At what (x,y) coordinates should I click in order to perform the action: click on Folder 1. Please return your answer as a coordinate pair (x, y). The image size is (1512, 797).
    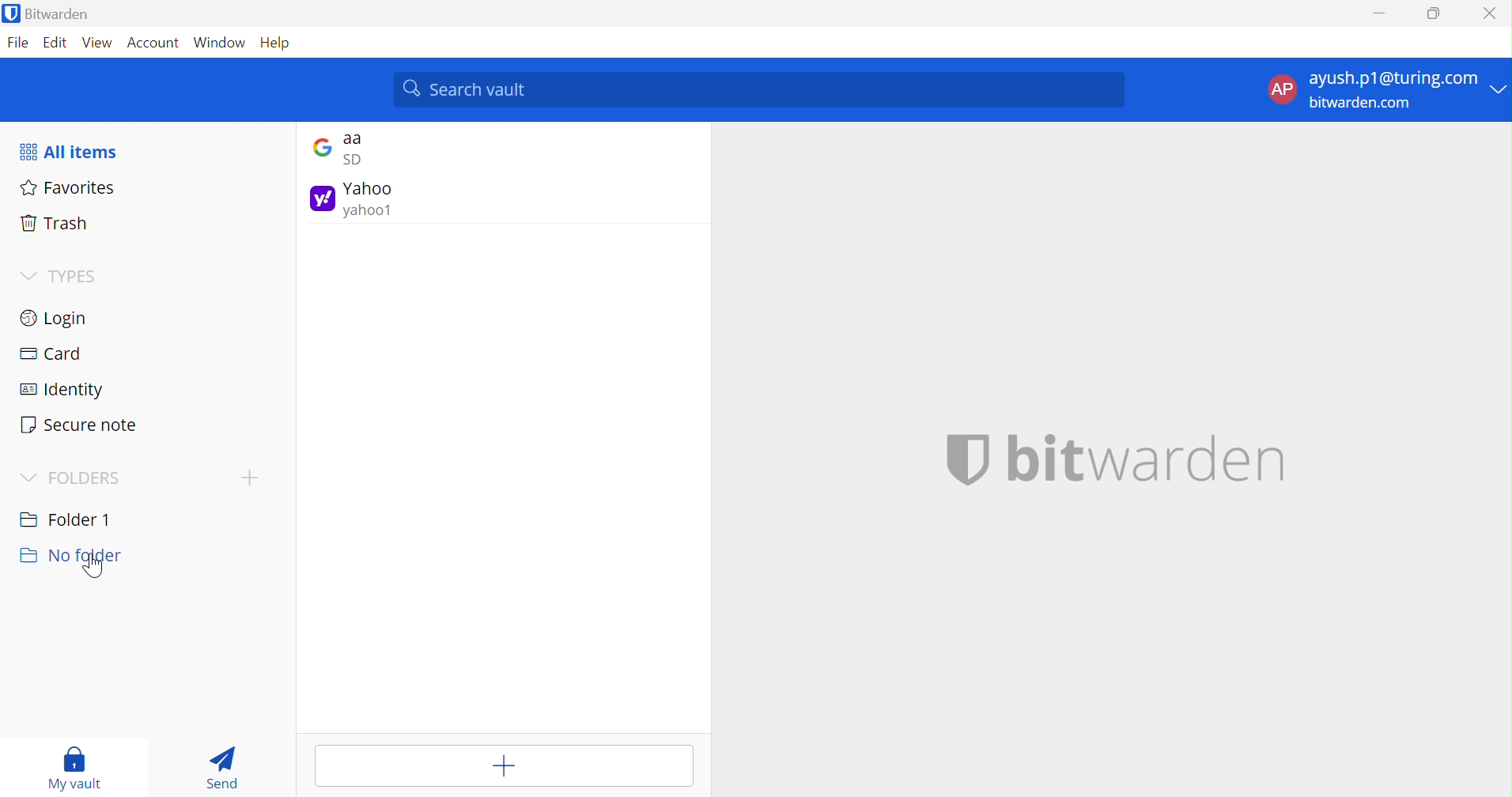
    Looking at the image, I should click on (65, 522).